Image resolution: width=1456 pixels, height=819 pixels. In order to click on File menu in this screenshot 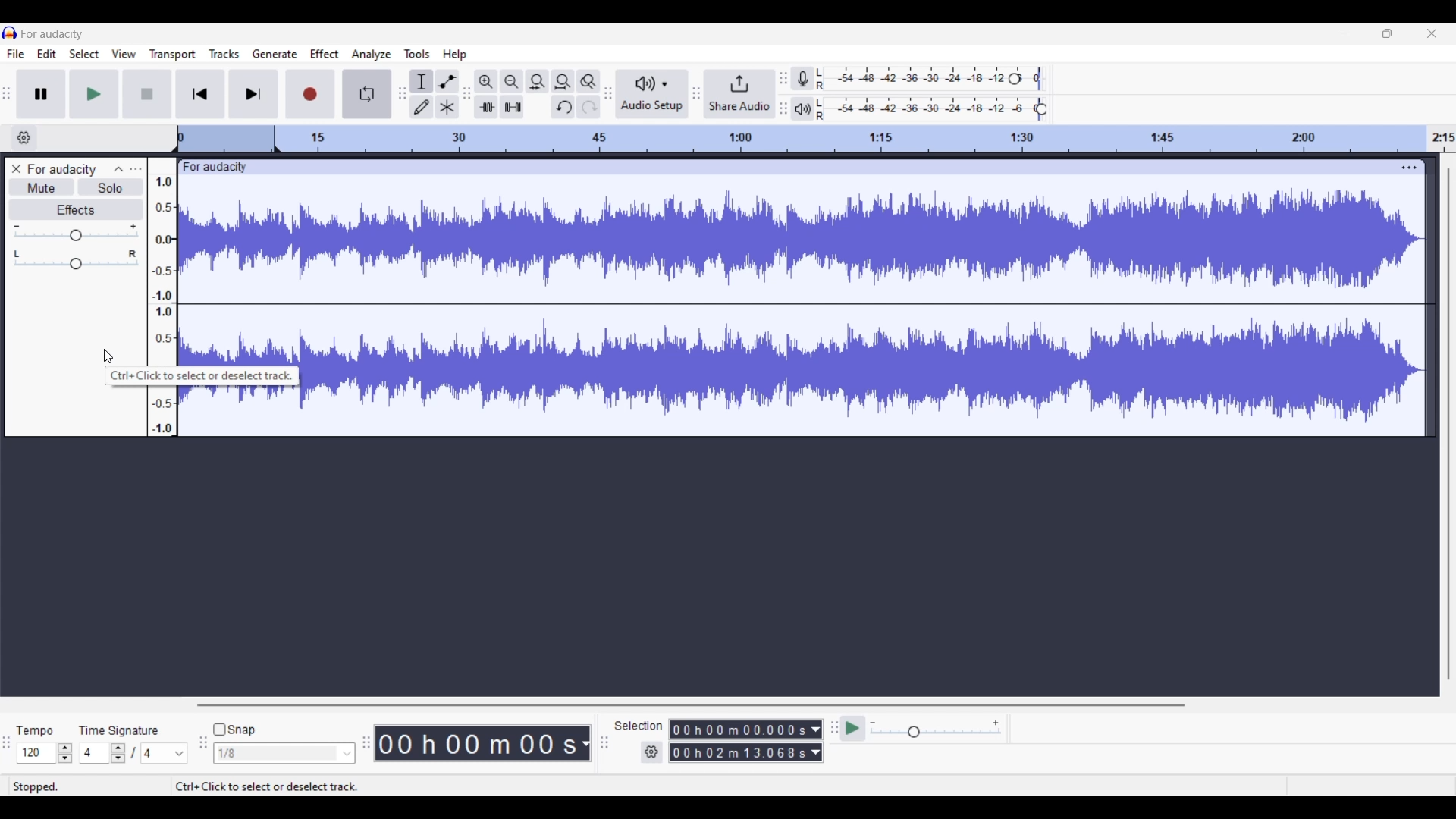, I will do `click(15, 55)`.